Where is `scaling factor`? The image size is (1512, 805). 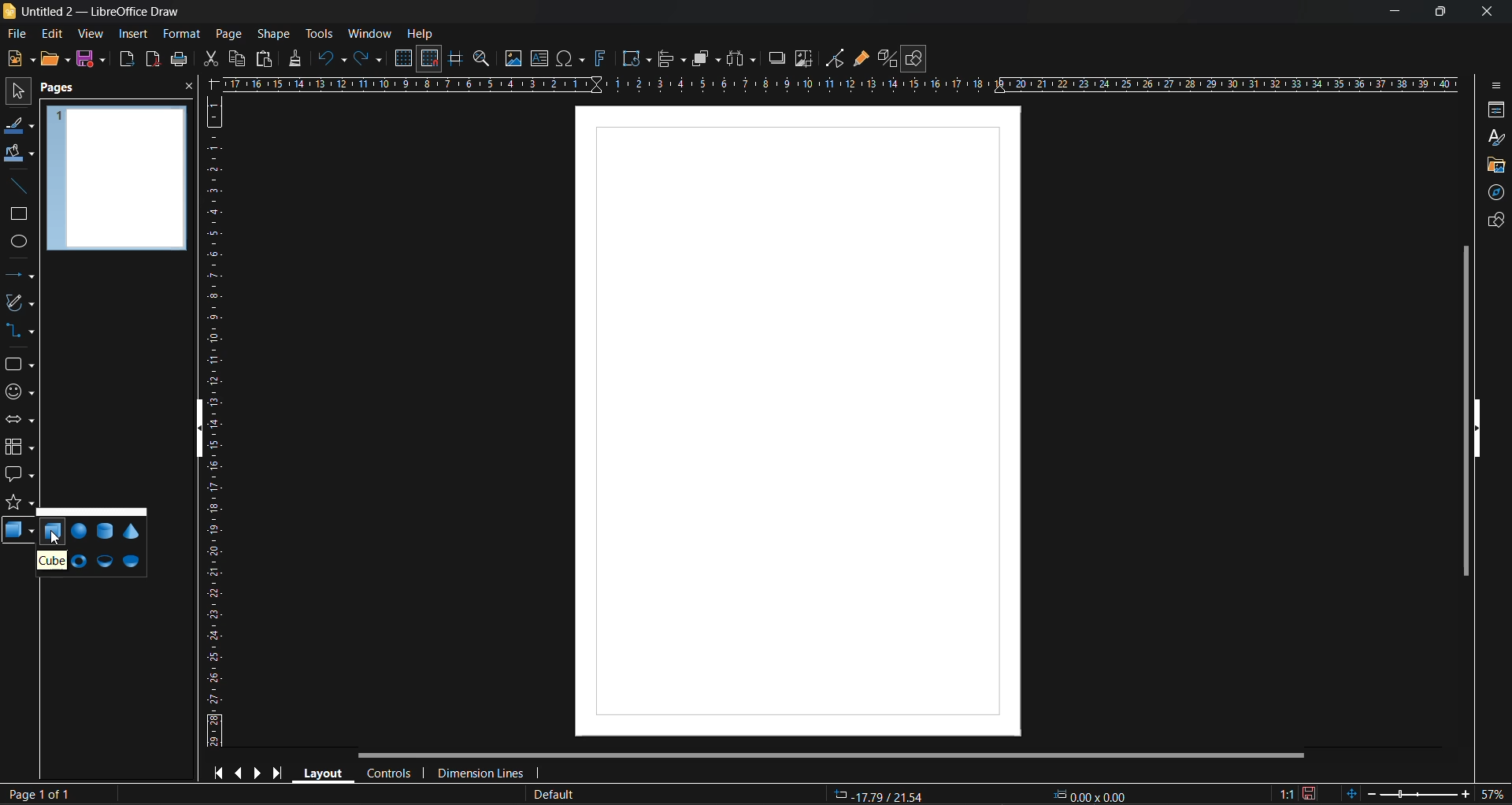
scaling factor is located at coordinates (1285, 791).